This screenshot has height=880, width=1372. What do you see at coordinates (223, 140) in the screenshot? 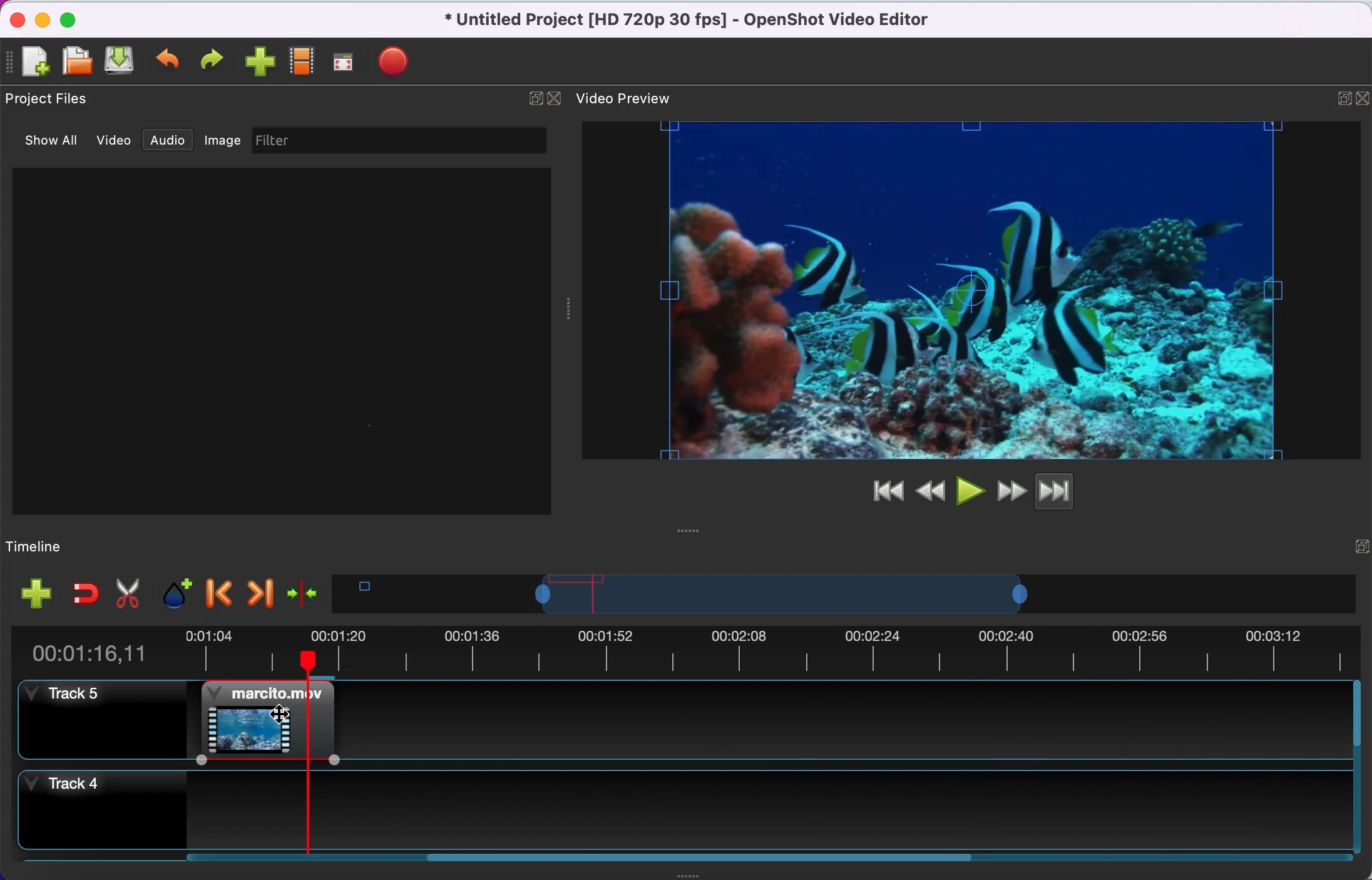
I see `image` at bounding box center [223, 140].